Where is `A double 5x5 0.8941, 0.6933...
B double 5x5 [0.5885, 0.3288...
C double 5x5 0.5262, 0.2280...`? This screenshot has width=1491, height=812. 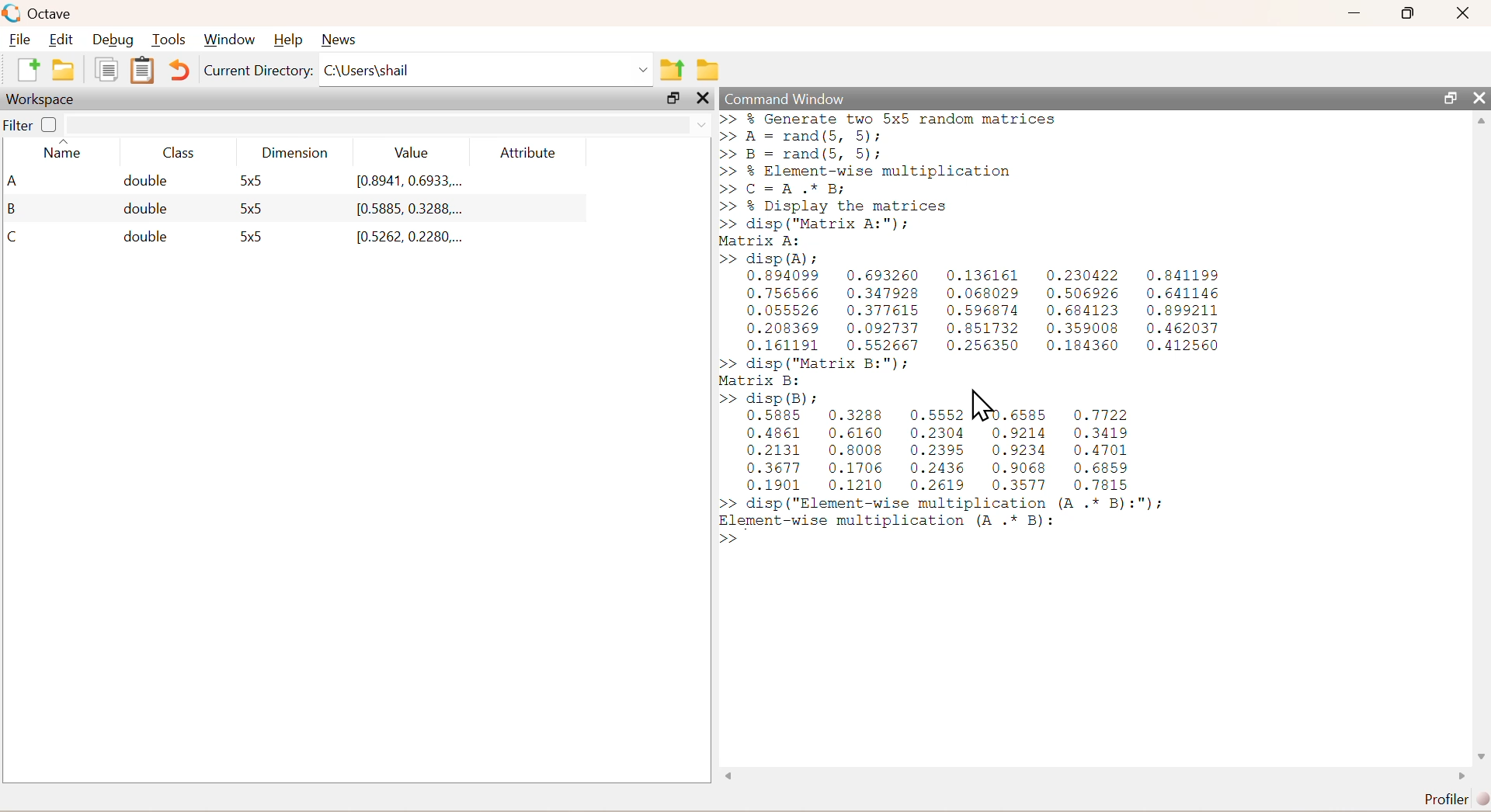
A double 5x5 0.8941, 0.6933...
B double 5x5 [0.5885, 0.3288...
C double 5x5 0.5262, 0.2280... is located at coordinates (265, 210).